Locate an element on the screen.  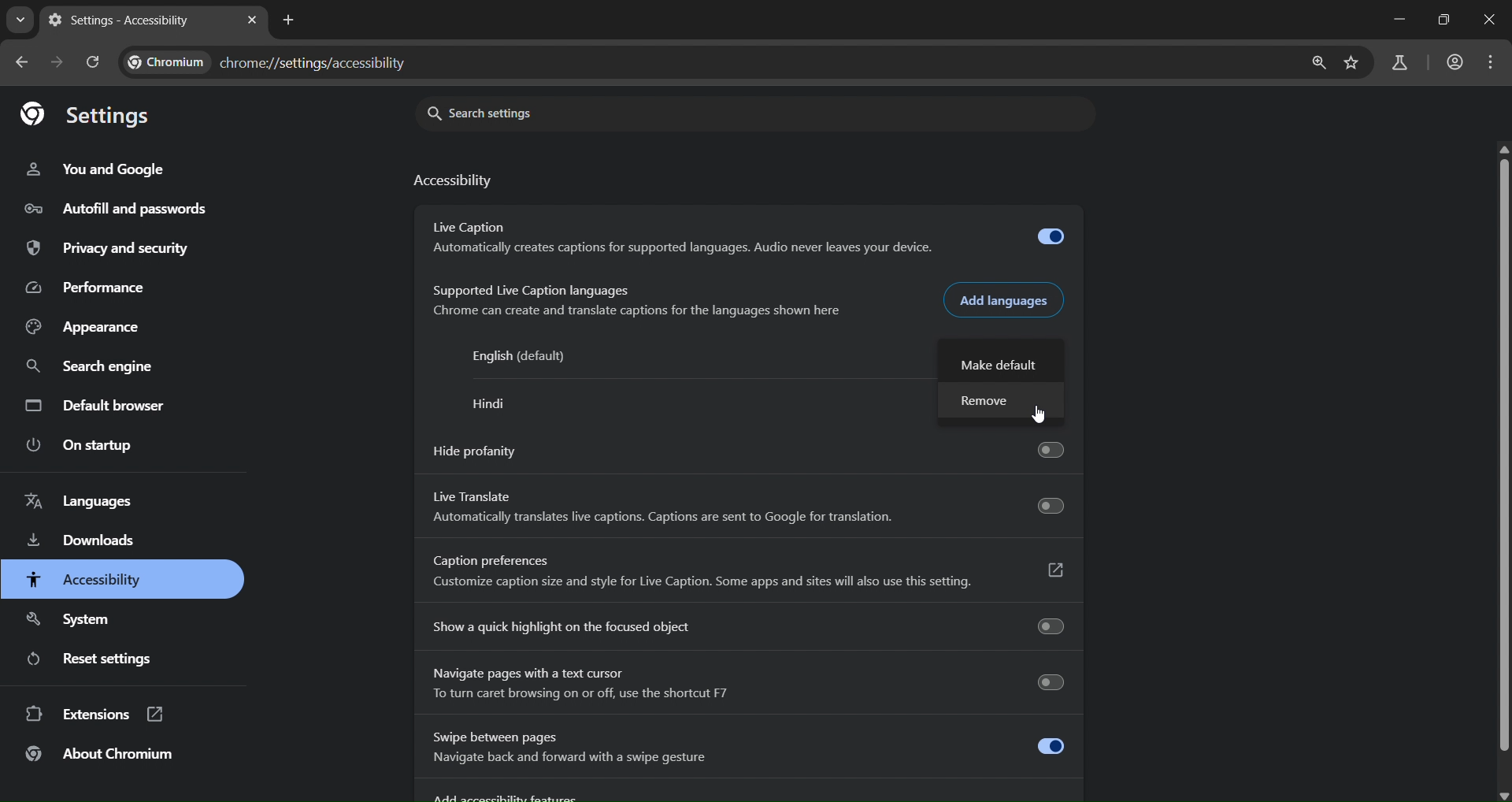
add languages is located at coordinates (1008, 299).